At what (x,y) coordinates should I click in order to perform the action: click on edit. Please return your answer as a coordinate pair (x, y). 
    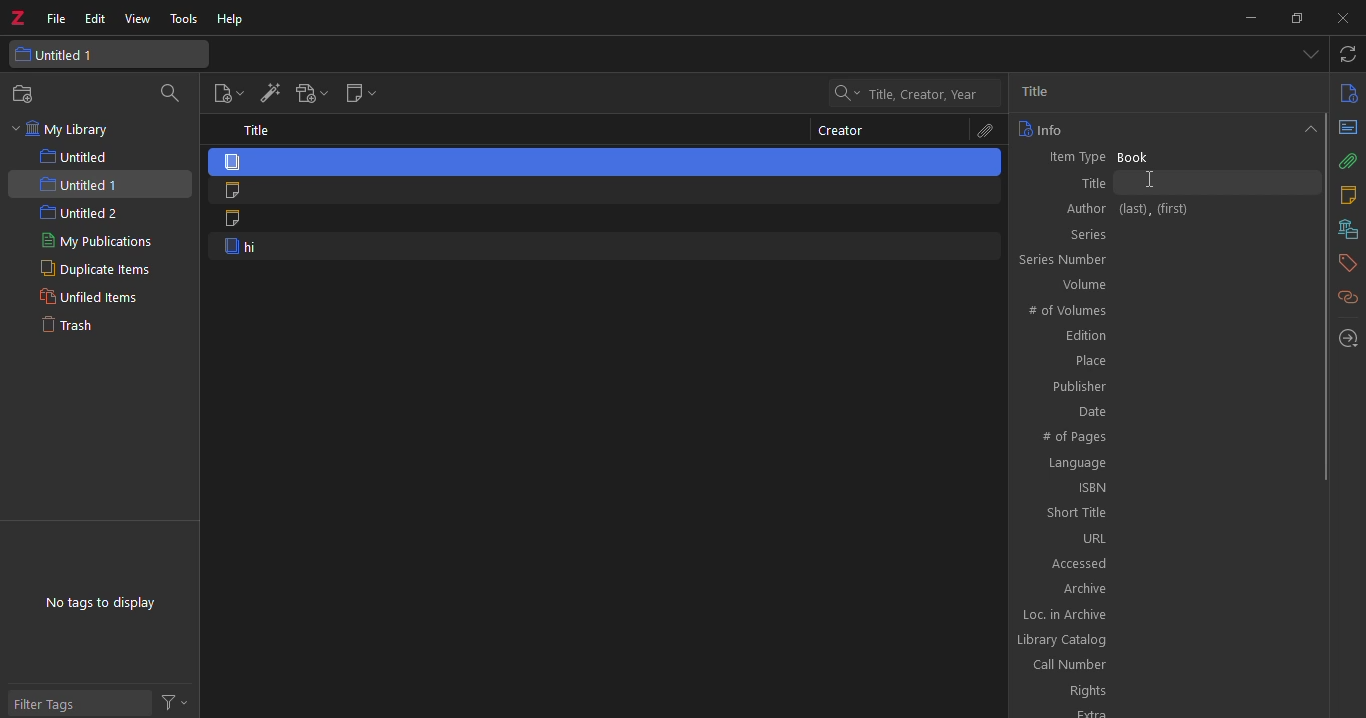
    Looking at the image, I should click on (96, 17).